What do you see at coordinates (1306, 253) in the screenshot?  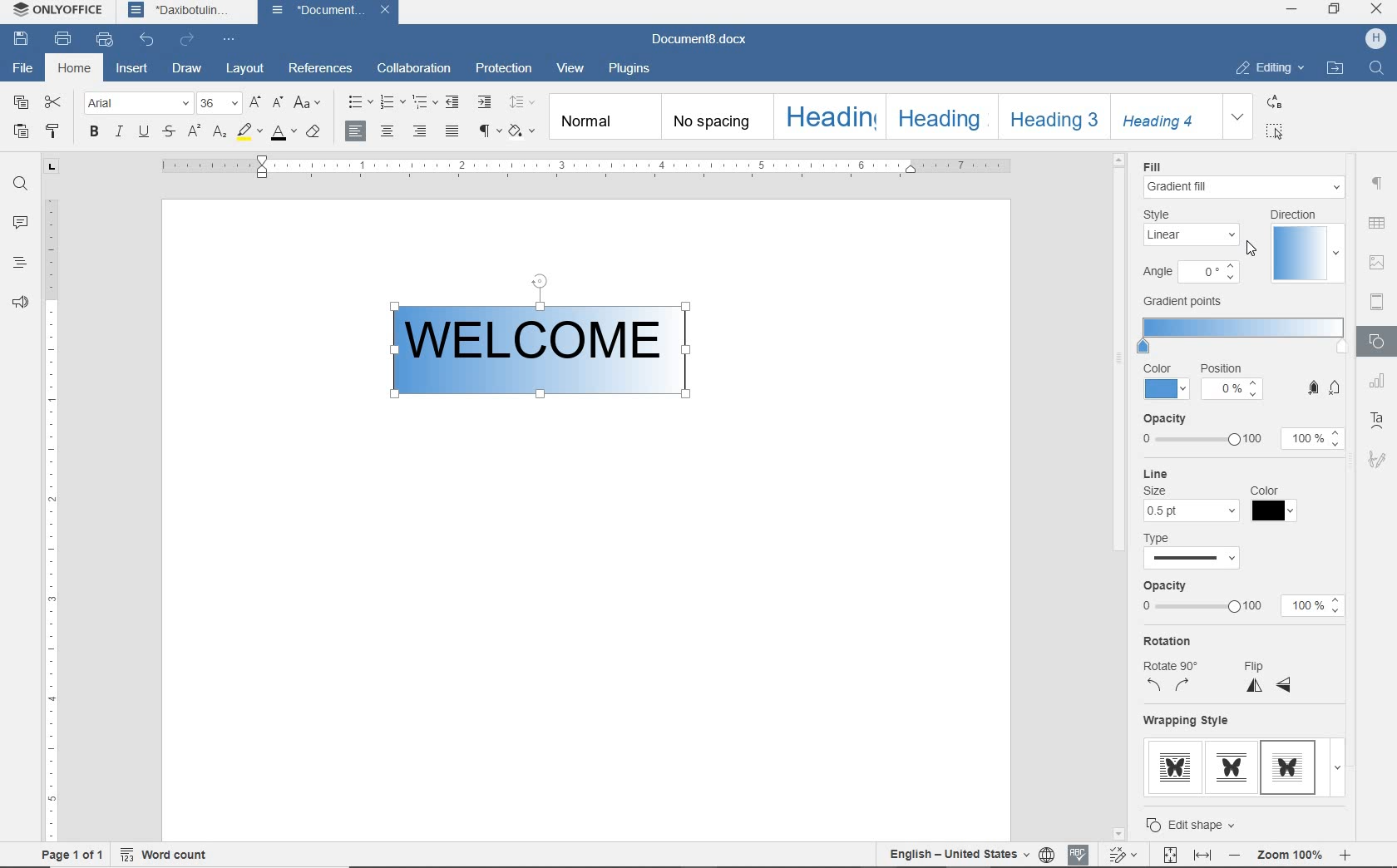 I see `direction` at bounding box center [1306, 253].